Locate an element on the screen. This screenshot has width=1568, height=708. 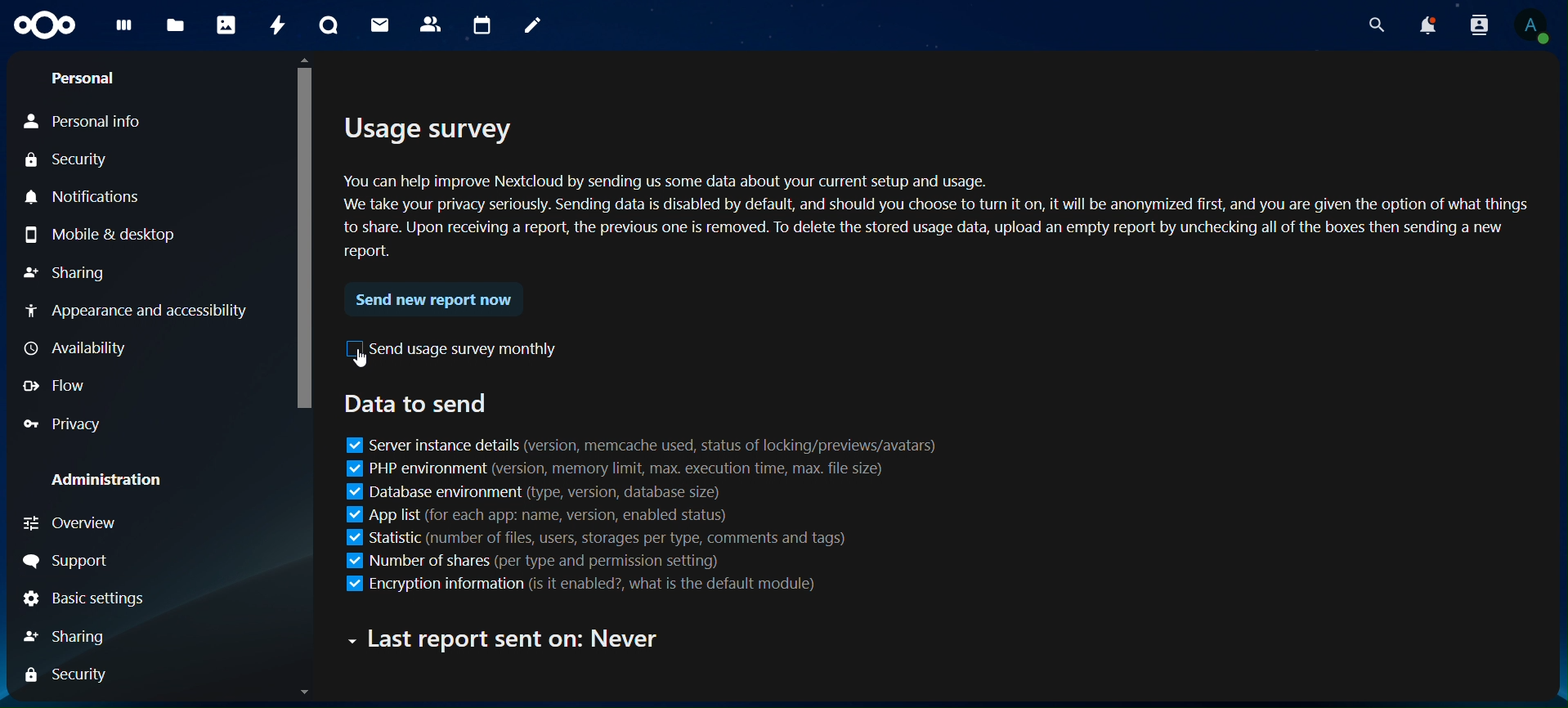
activity is located at coordinates (277, 25).